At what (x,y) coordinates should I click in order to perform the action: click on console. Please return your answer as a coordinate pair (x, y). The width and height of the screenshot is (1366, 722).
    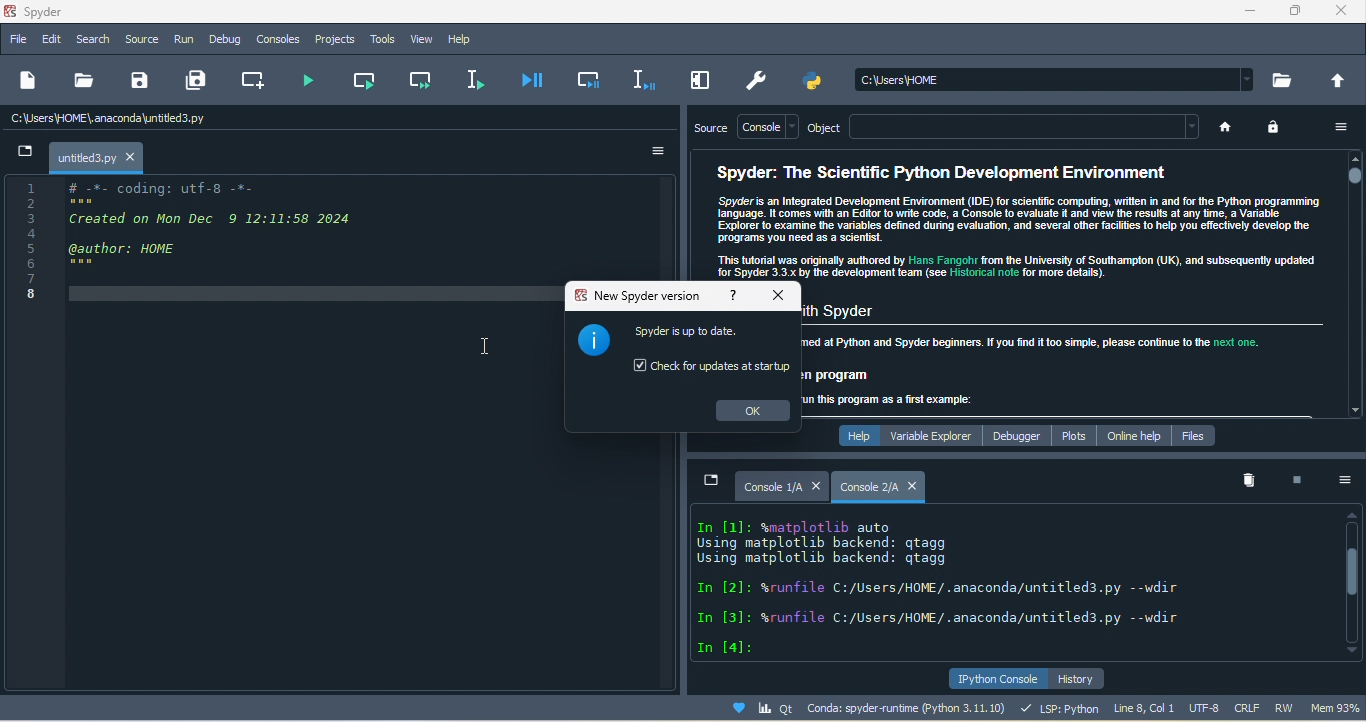
    Looking at the image, I should click on (280, 40).